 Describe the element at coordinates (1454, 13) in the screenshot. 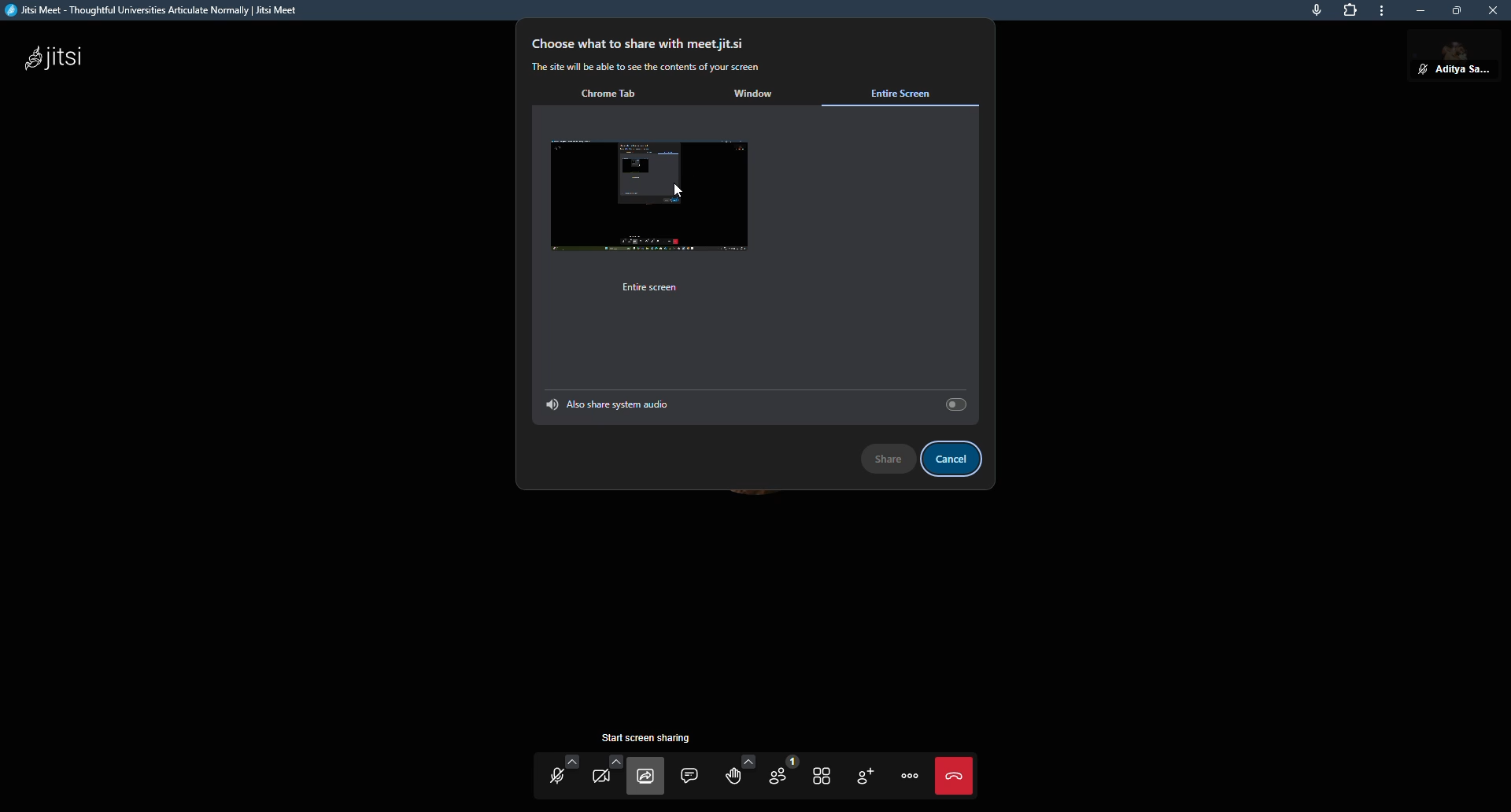

I see `maximize` at that location.